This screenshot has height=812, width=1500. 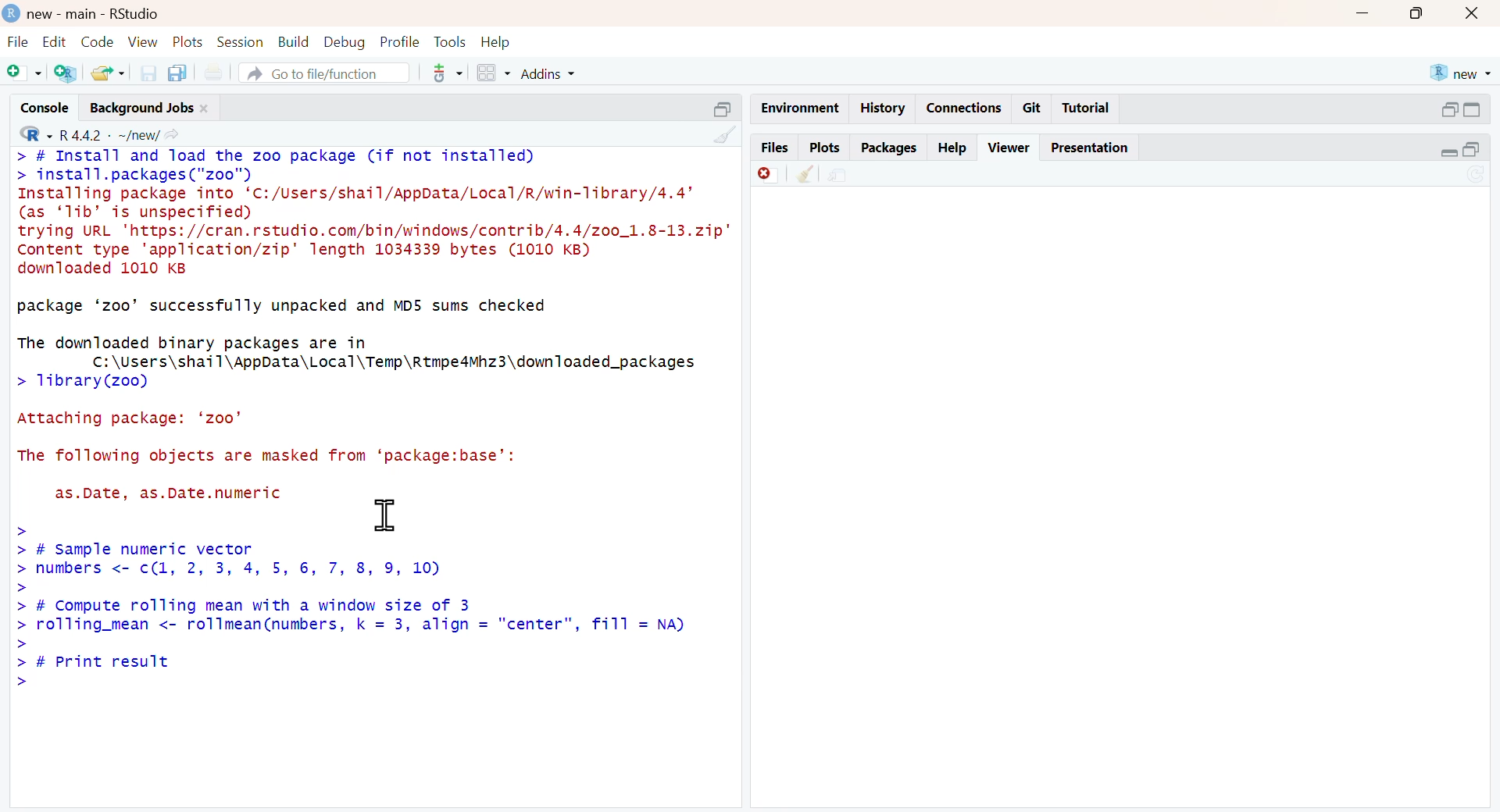 I want to click on as.Date, as.Date.numeric, so click(x=169, y=493).